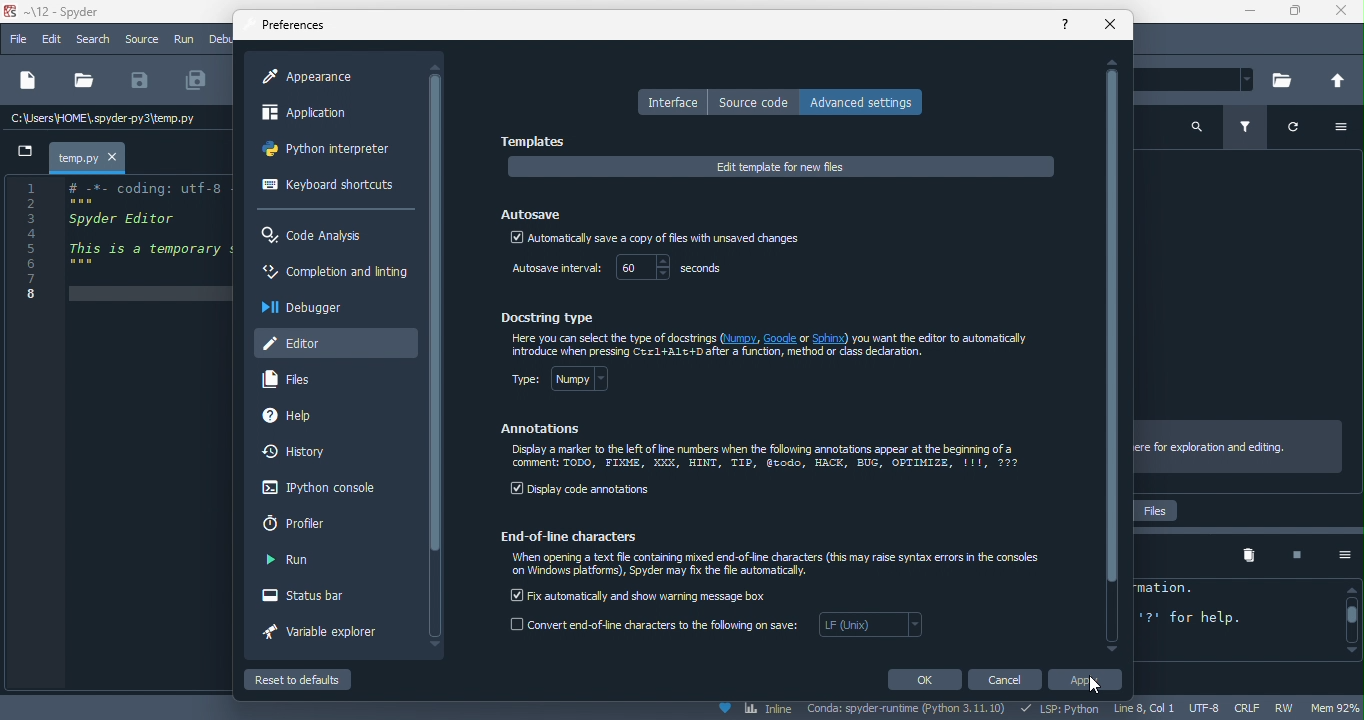  Describe the element at coordinates (1289, 556) in the screenshot. I see `interrupt kenel` at that location.